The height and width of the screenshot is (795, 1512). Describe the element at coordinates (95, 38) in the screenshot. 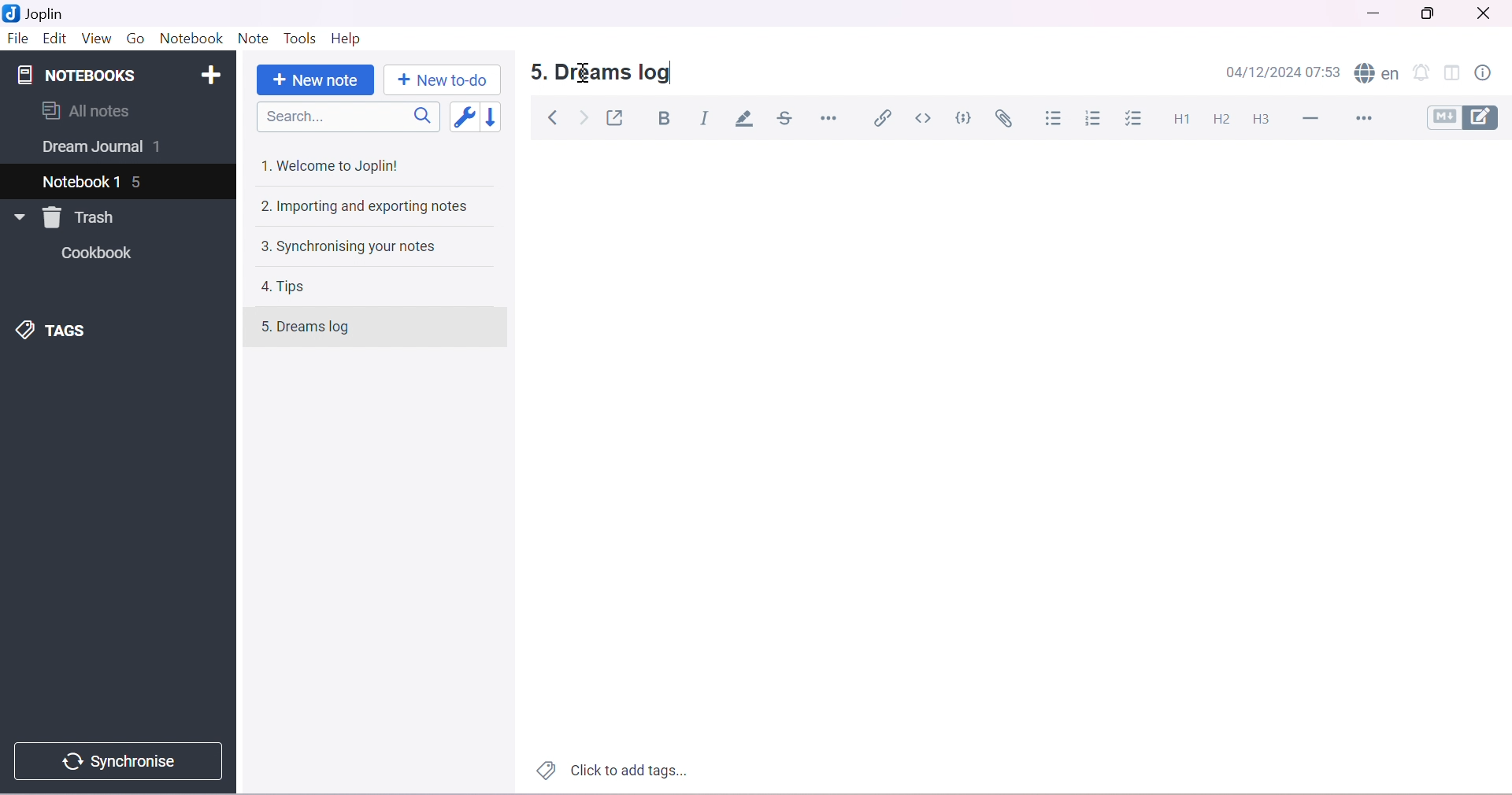

I see `View` at that location.